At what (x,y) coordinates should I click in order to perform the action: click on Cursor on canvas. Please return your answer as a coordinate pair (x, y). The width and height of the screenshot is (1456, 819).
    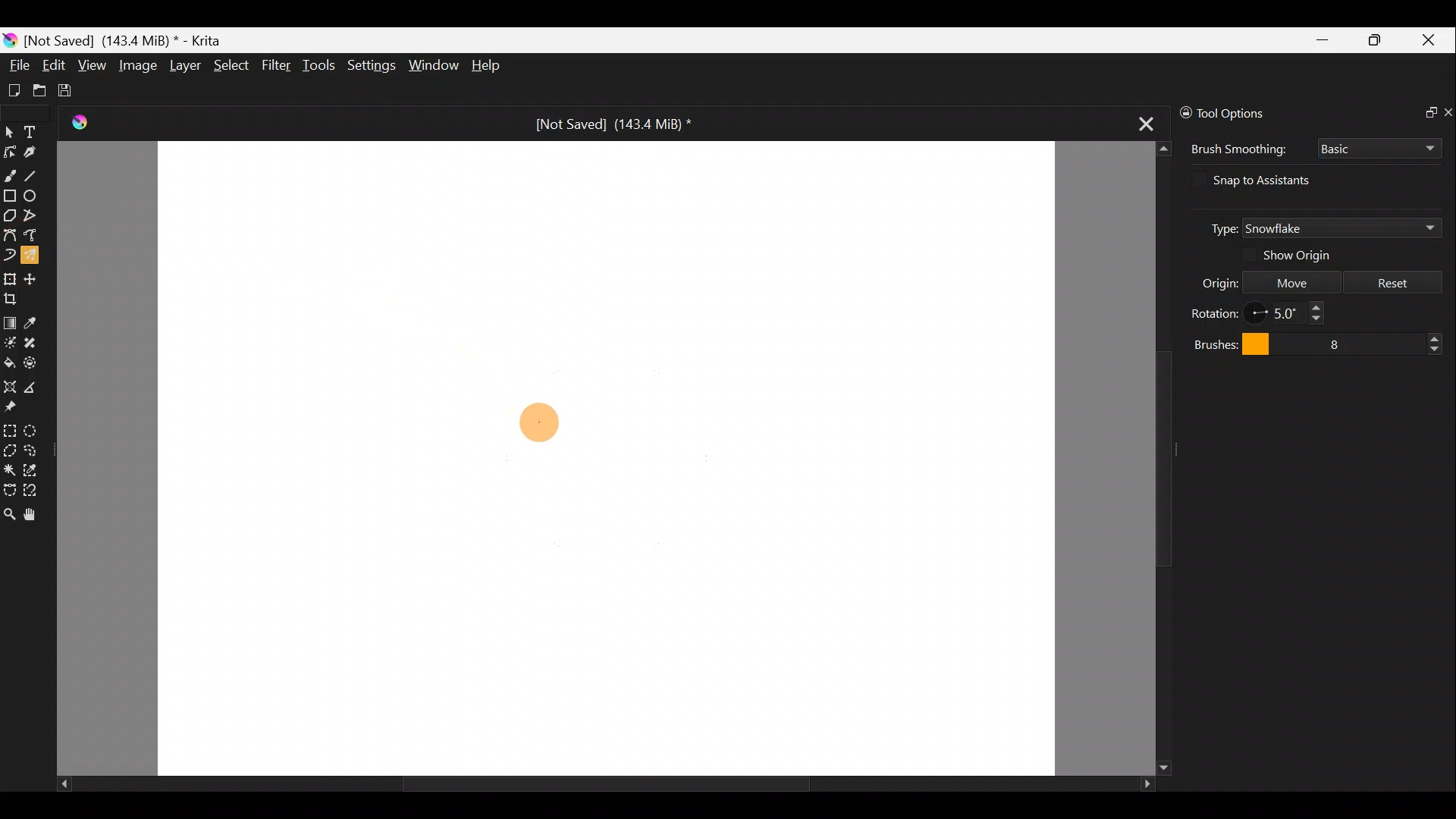
    Looking at the image, I should click on (538, 422).